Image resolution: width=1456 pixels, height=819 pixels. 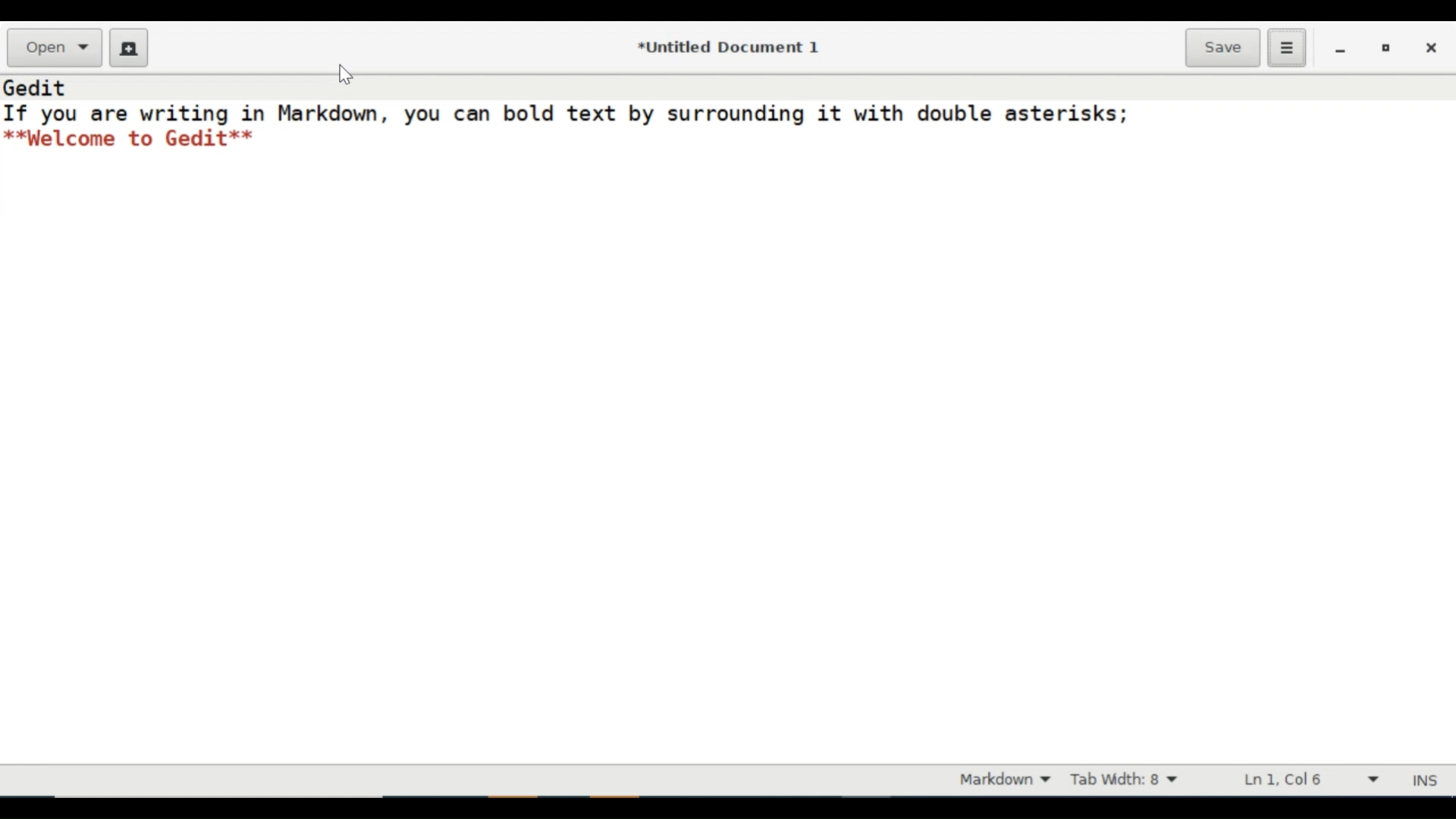 I want to click on Tab Width, so click(x=1136, y=780).